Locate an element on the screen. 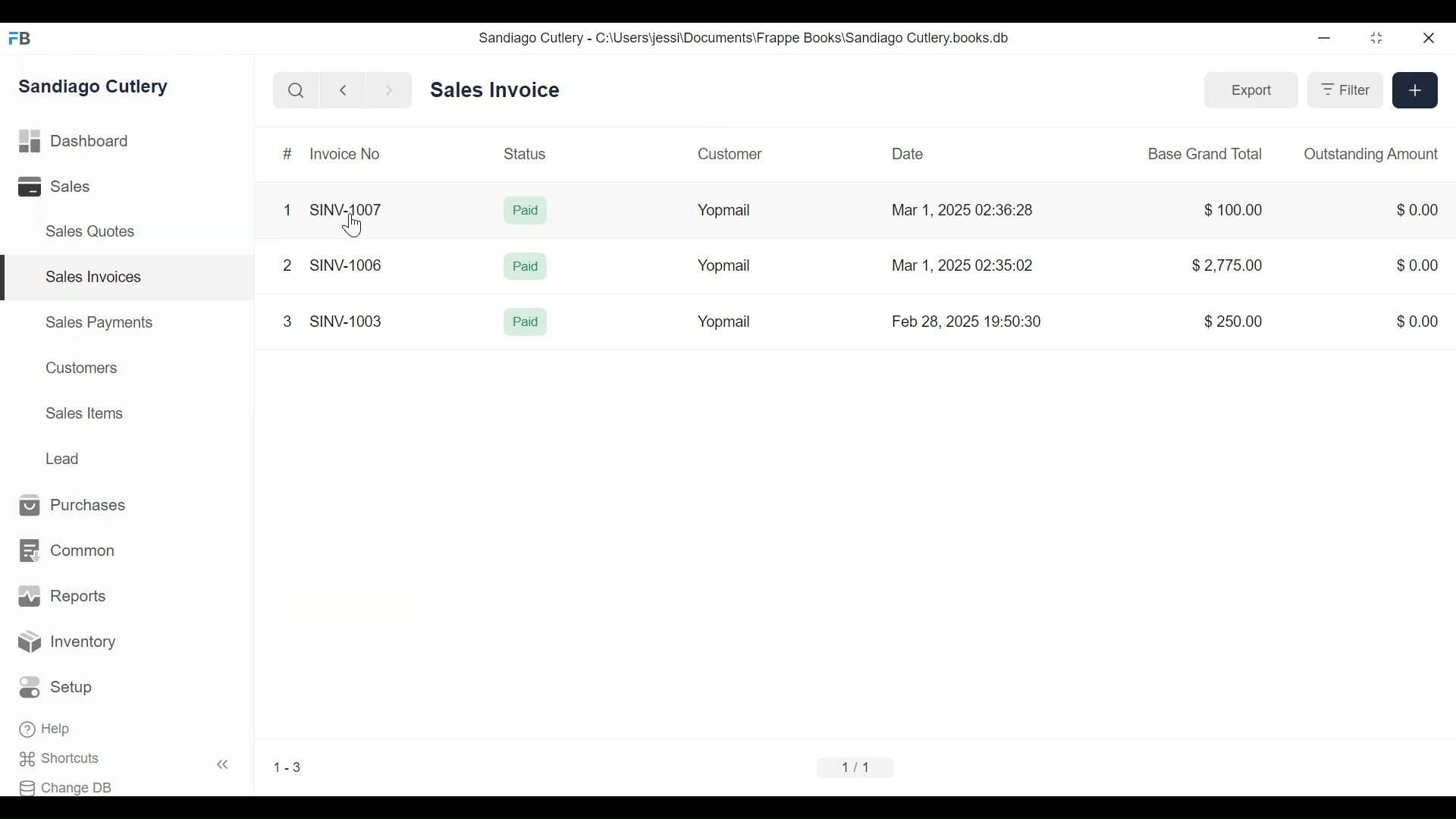  Hide sidebar is located at coordinates (224, 764).